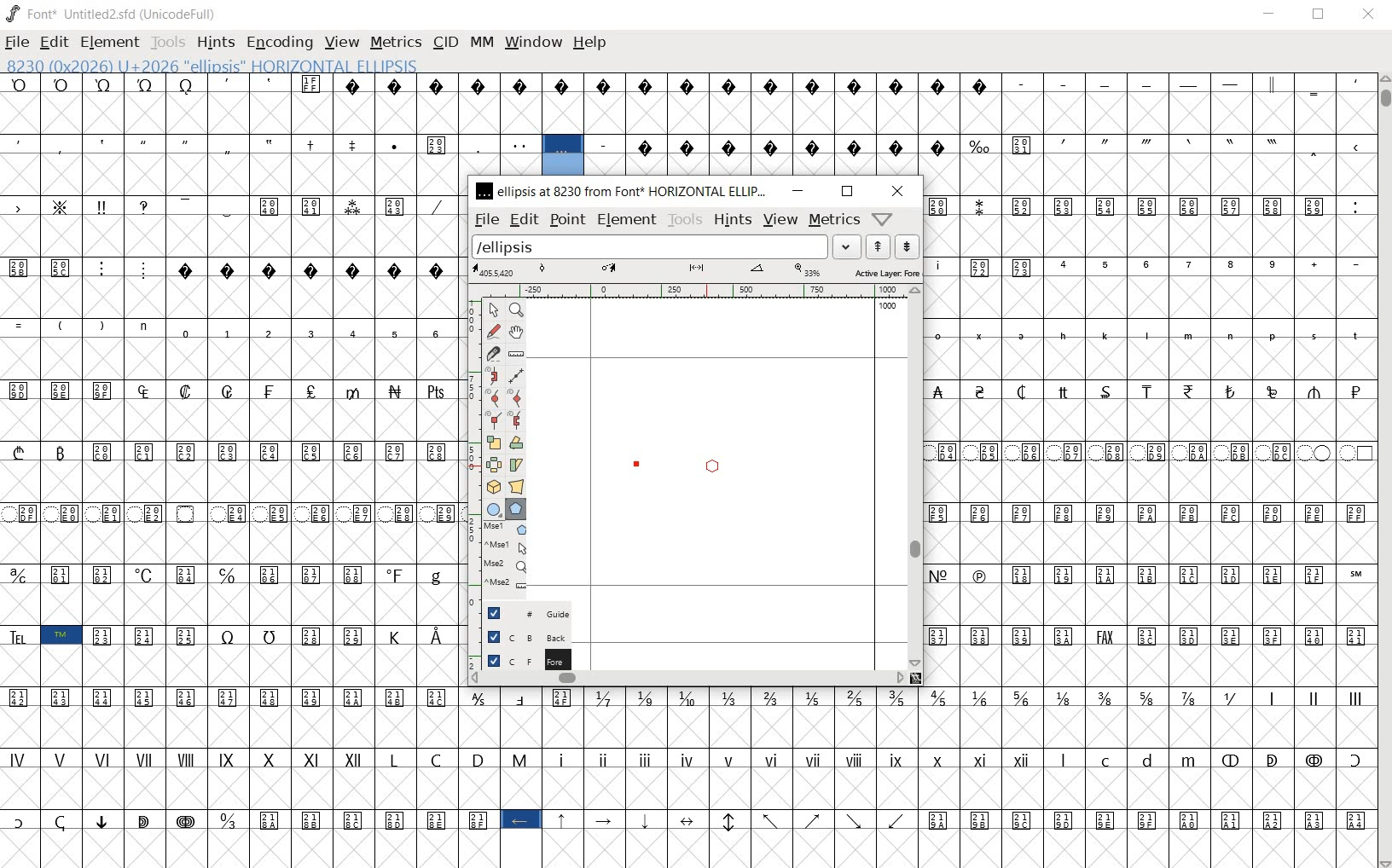 This screenshot has height=868, width=1392. Describe the element at coordinates (518, 396) in the screenshot. I see `add a curve point always either horizontal or vertical` at that location.